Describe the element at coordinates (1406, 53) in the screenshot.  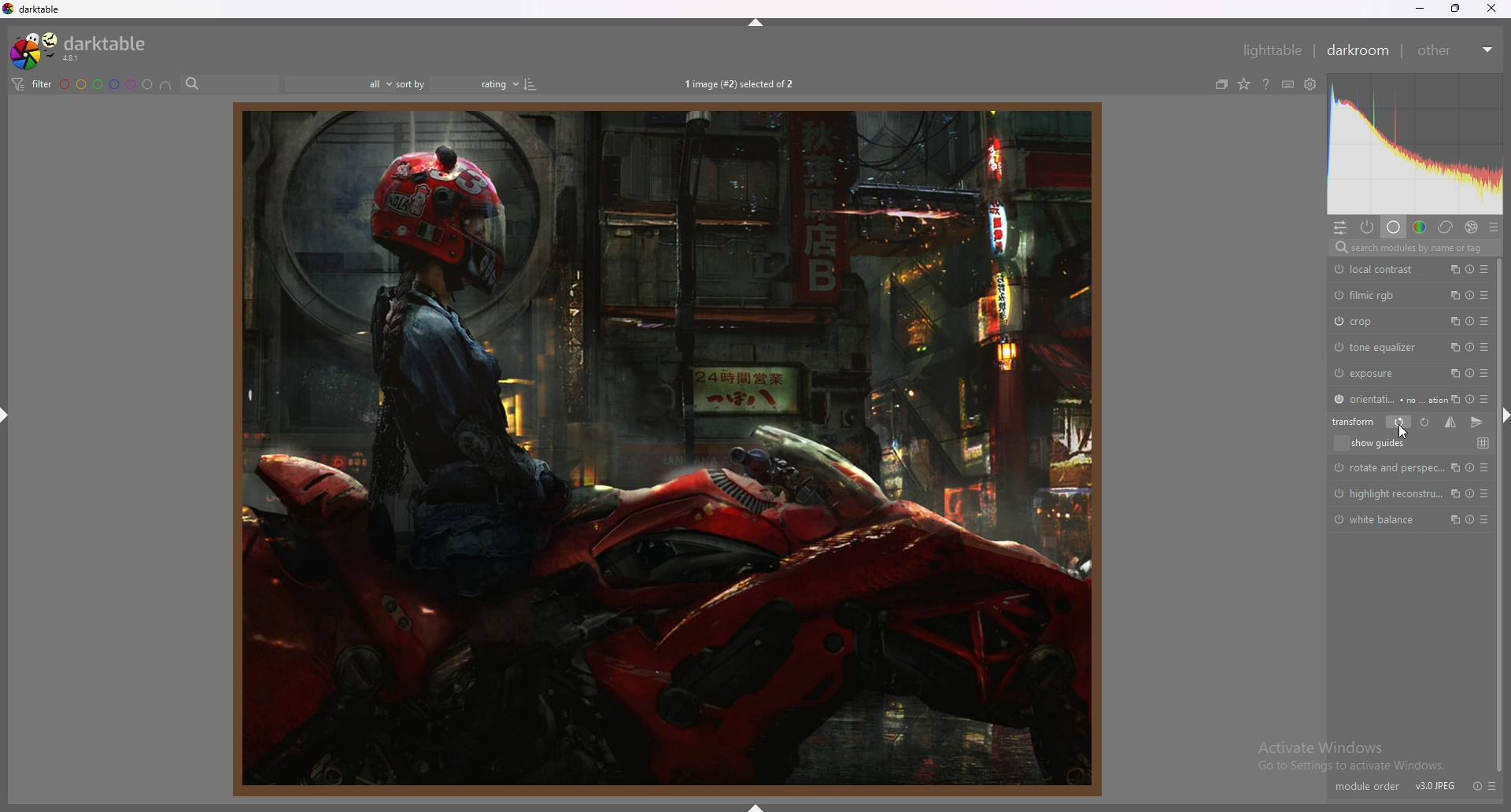
I see `divider` at that location.